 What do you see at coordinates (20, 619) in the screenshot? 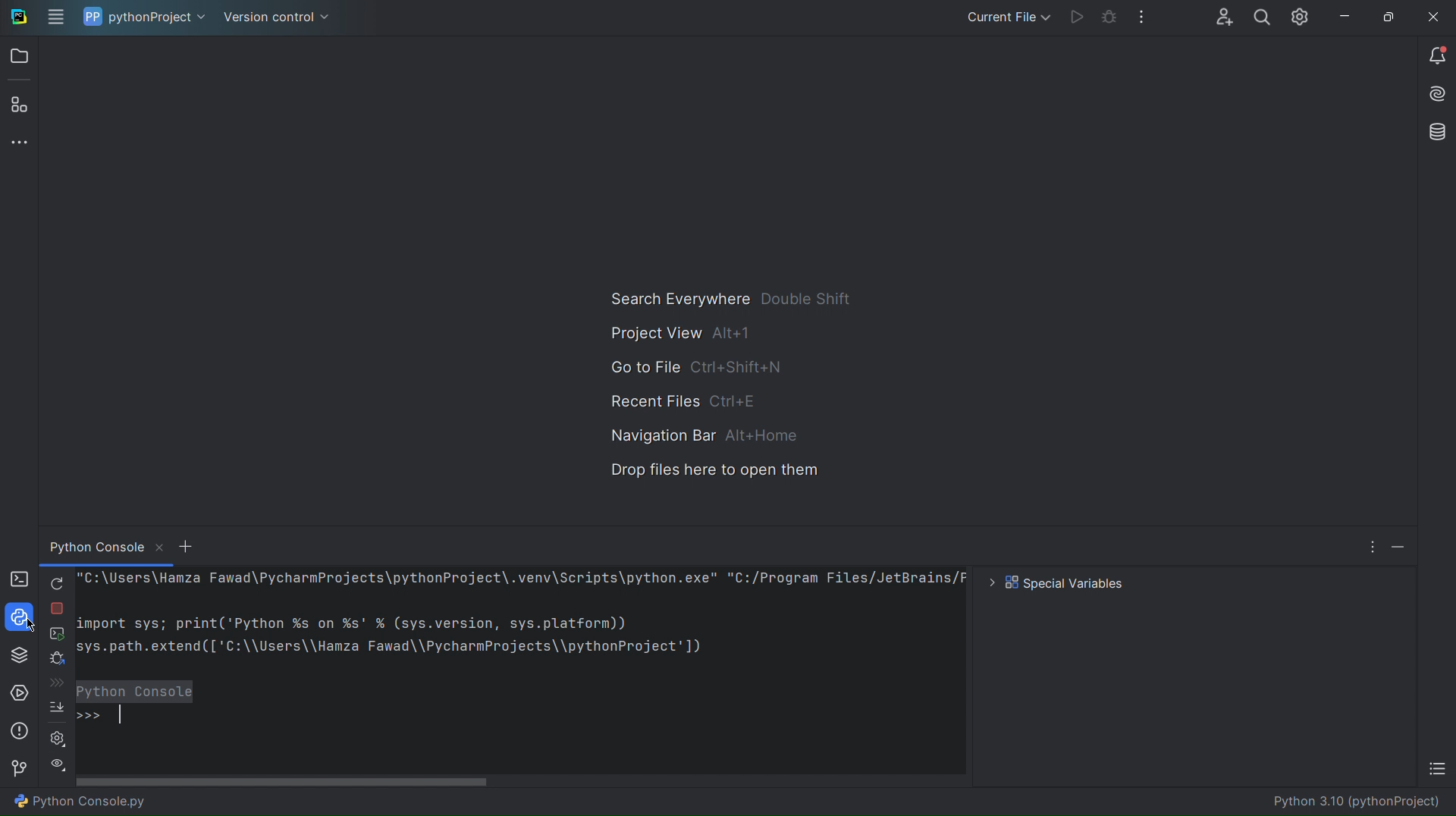
I see `Cursor on Python Consoles` at bounding box center [20, 619].